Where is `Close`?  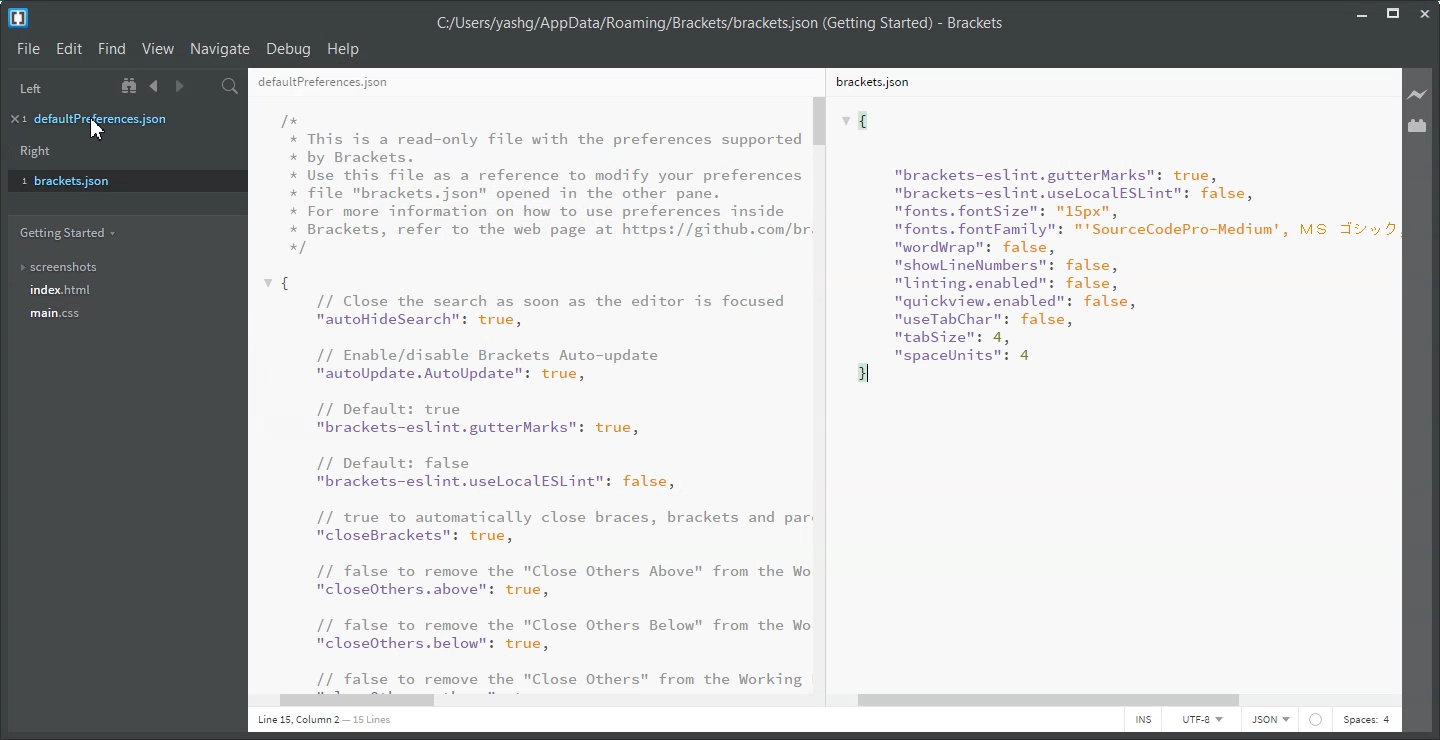
Close is located at coordinates (1424, 14).